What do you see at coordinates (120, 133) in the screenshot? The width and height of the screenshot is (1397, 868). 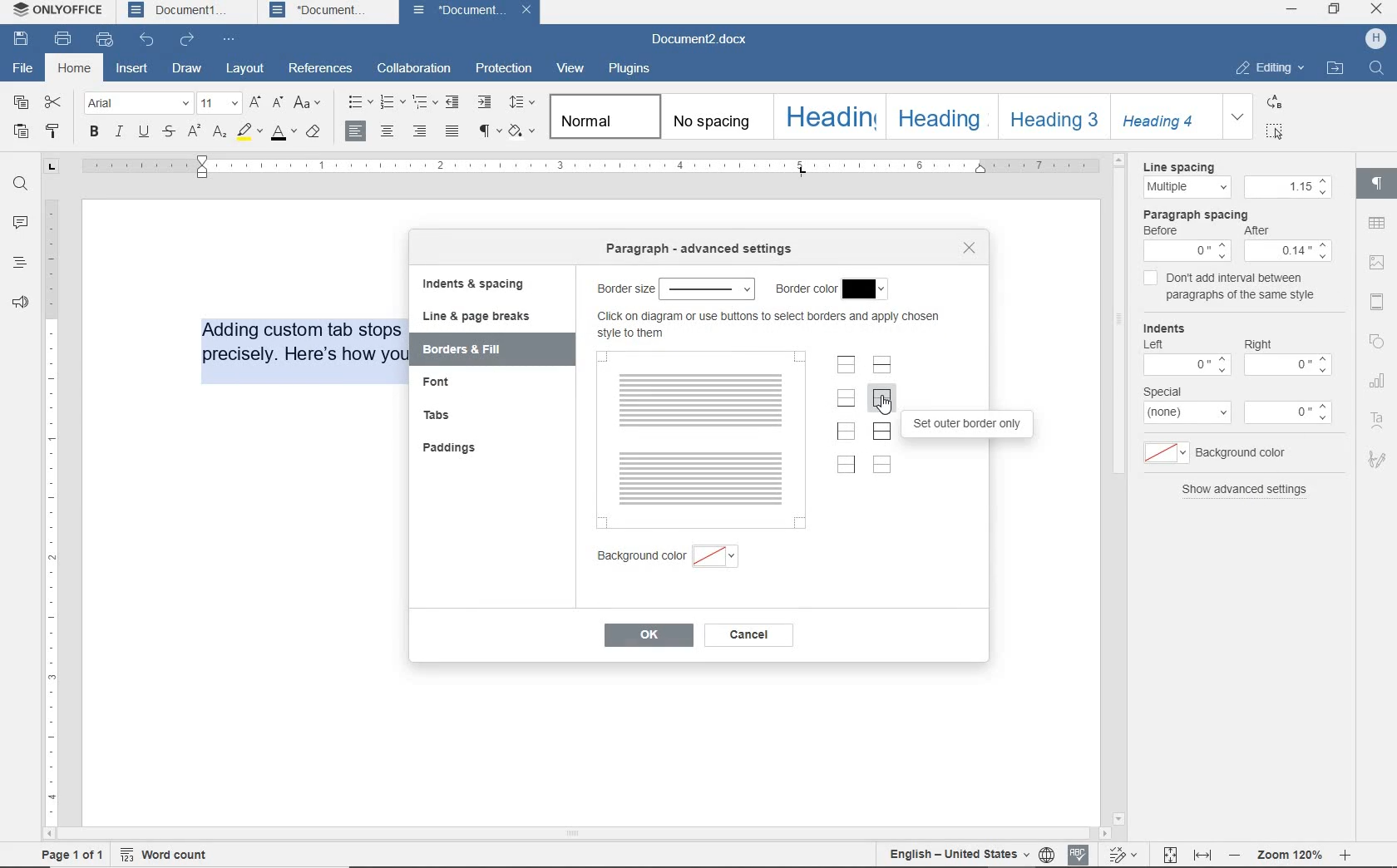 I see `italic` at bounding box center [120, 133].